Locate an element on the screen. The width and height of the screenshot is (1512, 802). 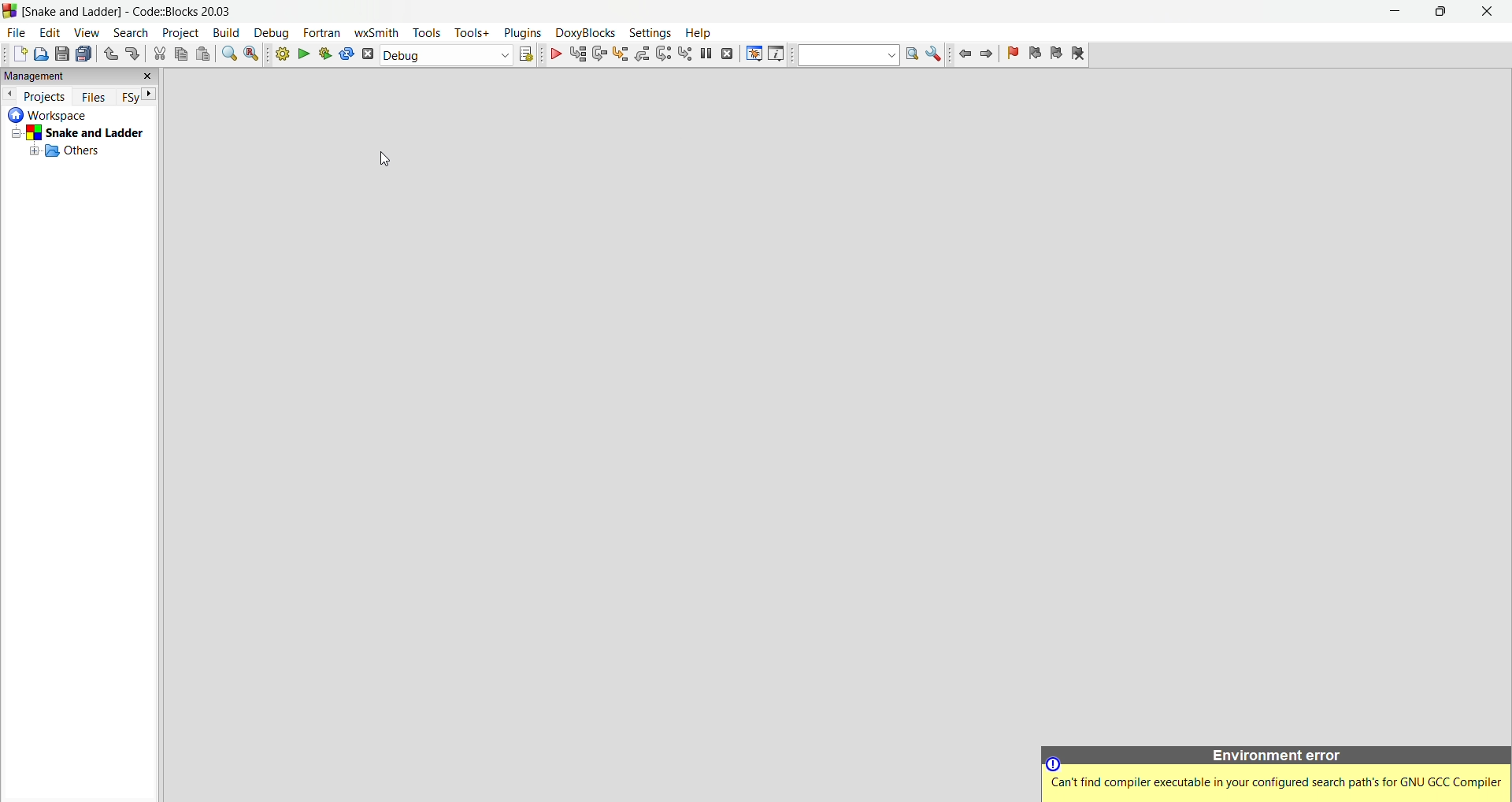
maximize is located at coordinates (1444, 13).